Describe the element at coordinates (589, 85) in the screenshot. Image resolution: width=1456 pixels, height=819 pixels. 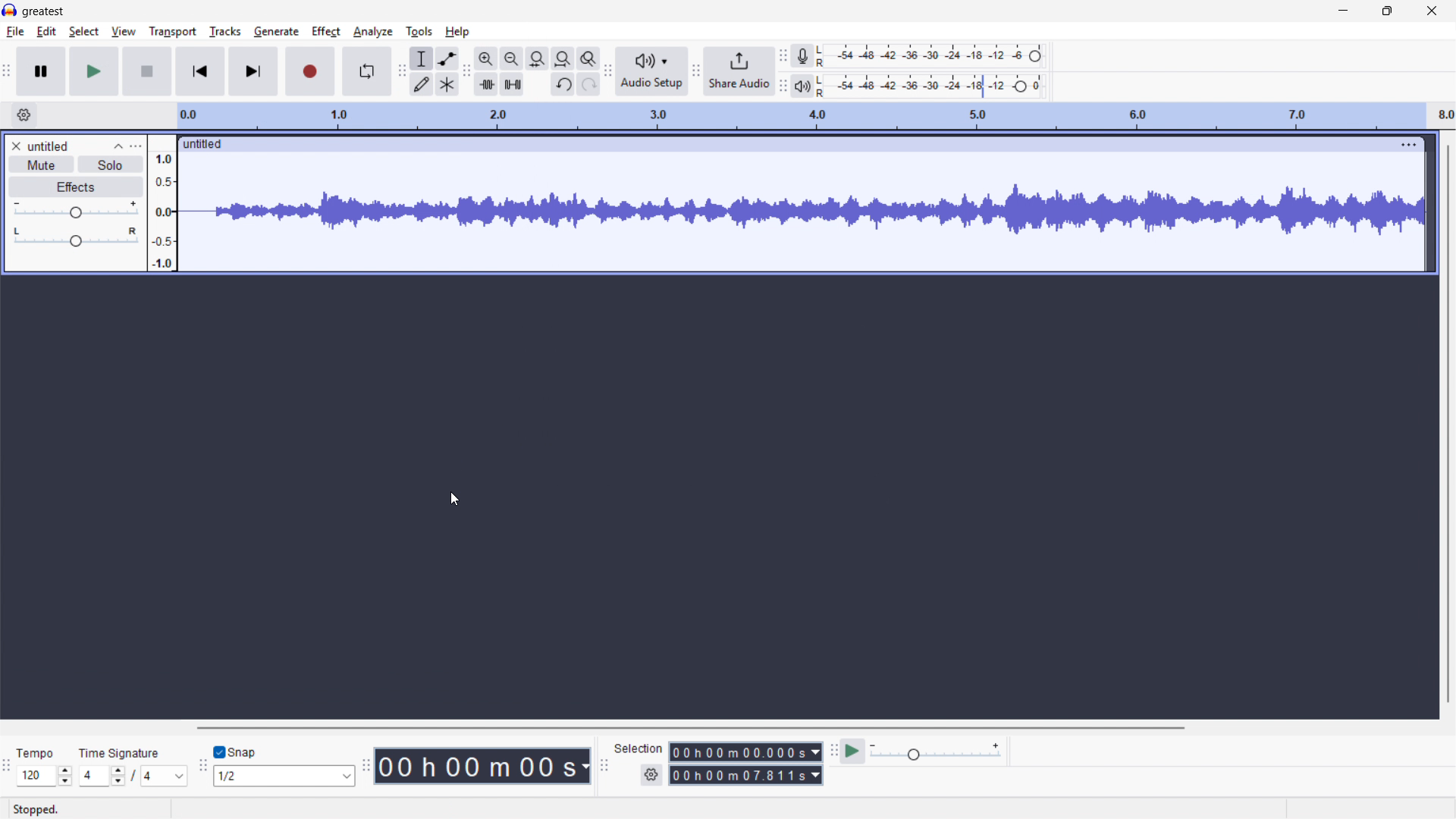
I see `redo` at that location.